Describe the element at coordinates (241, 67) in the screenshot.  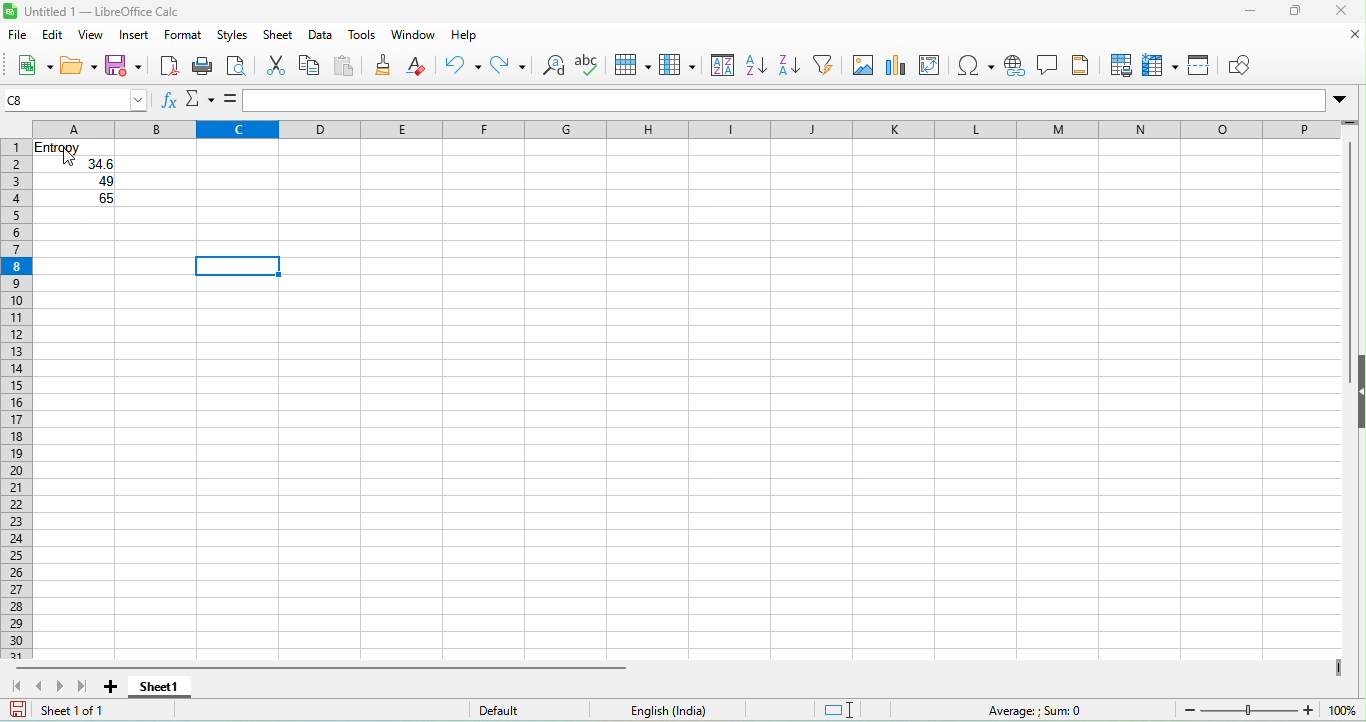
I see `print preview` at that location.